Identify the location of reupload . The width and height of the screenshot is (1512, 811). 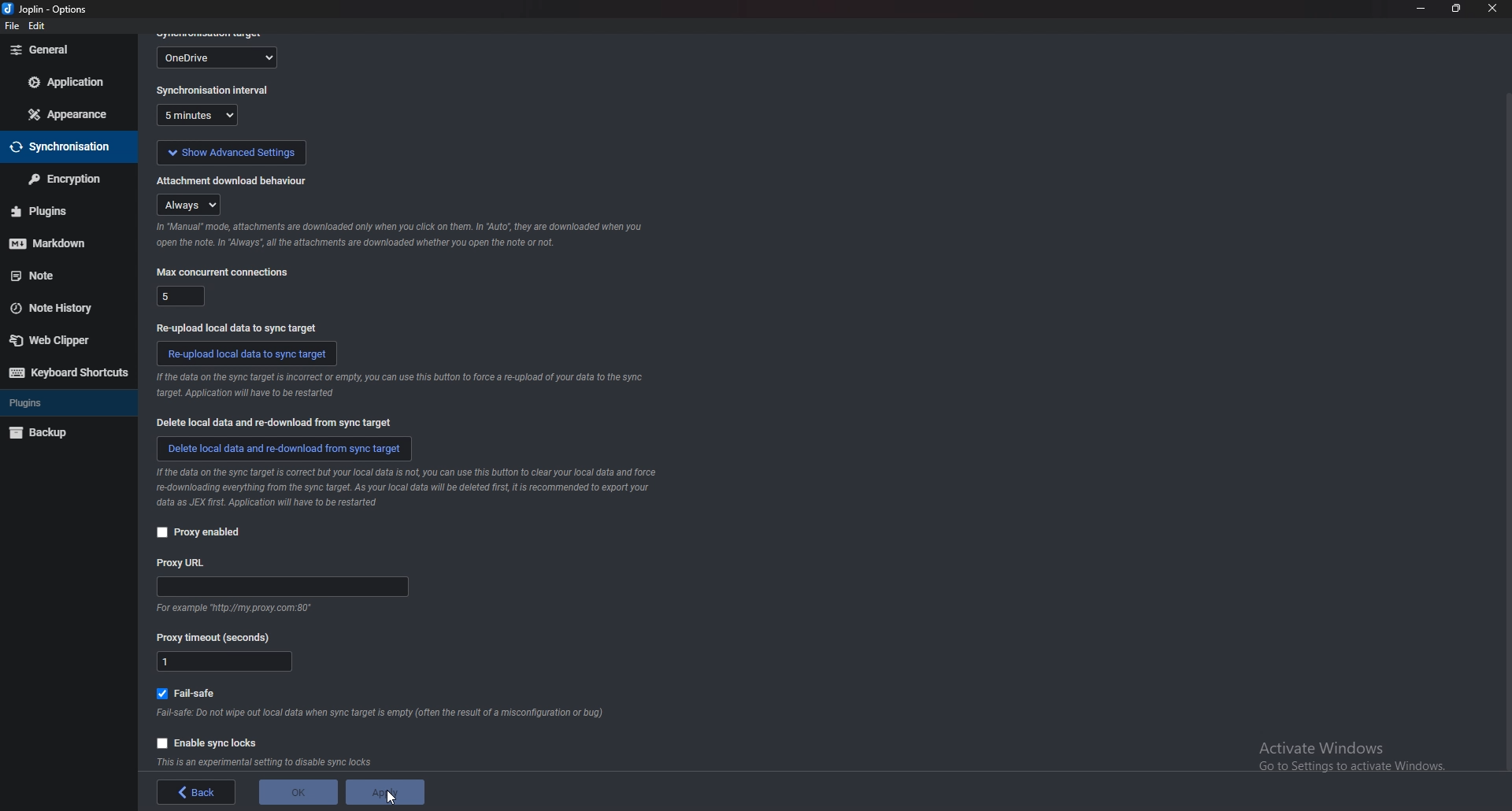
(235, 326).